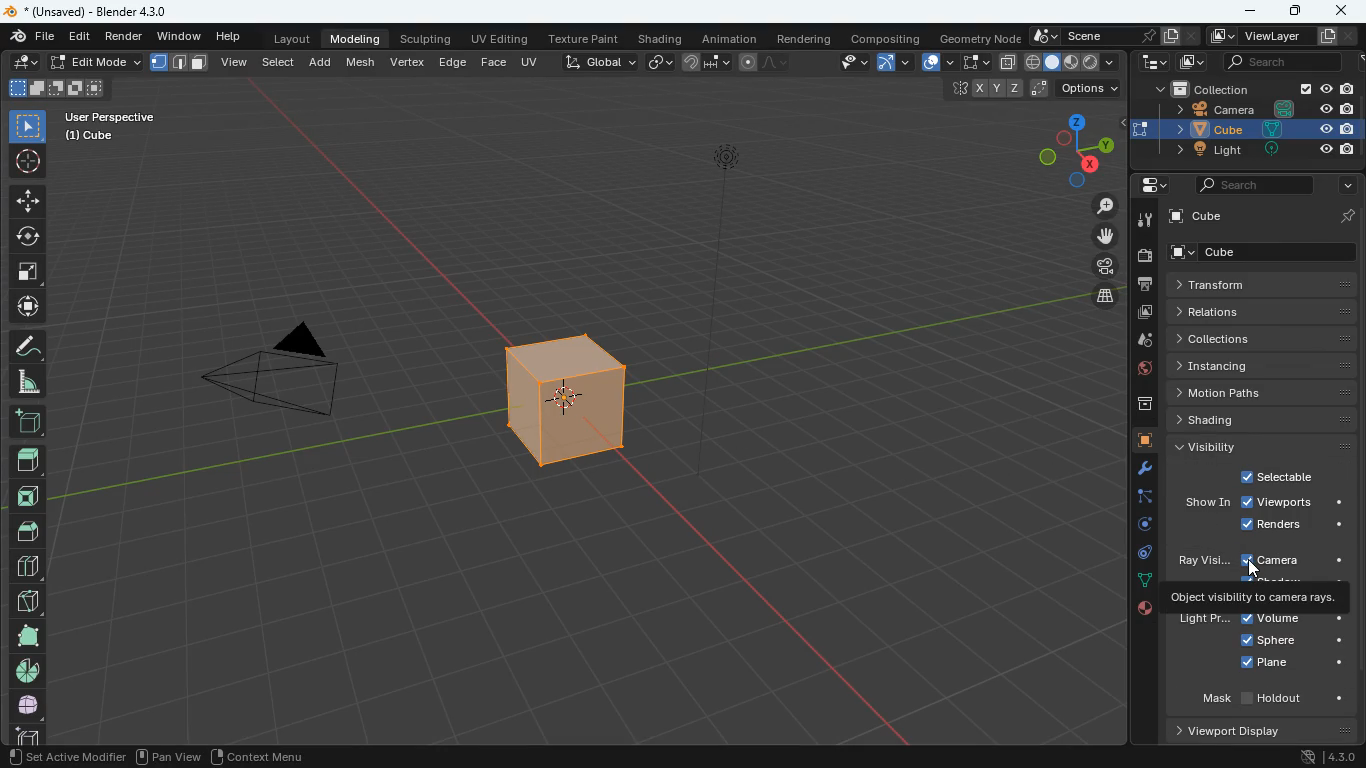 The image size is (1366, 768). Describe the element at coordinates (601, 63) in the screenshot. I see `global` at that location.